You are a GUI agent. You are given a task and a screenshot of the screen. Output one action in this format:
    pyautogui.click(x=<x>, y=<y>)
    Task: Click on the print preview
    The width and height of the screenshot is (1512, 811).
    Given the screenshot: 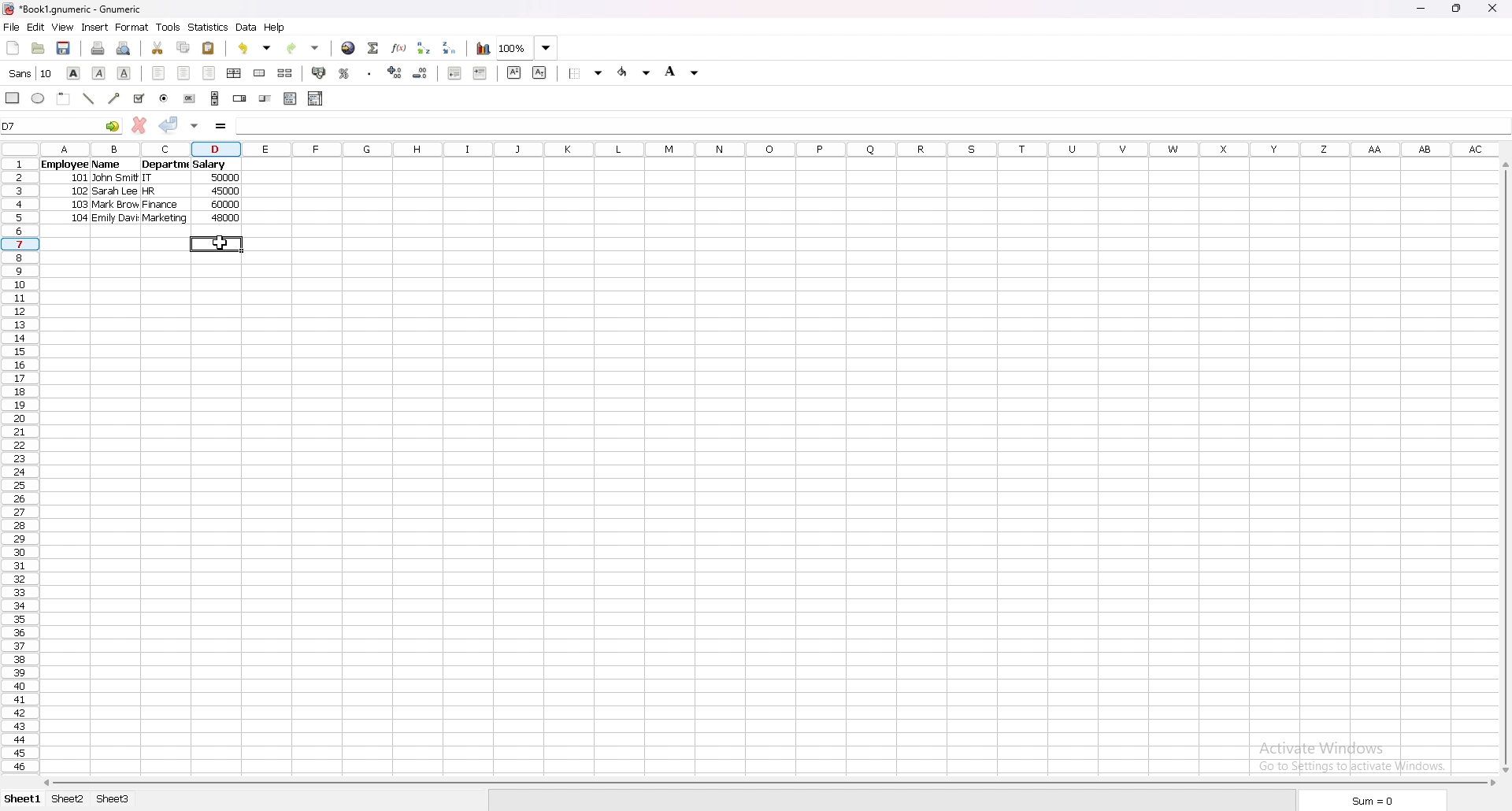 What is the action you would take?
    pyautogui.click(x=124, y=48)
    